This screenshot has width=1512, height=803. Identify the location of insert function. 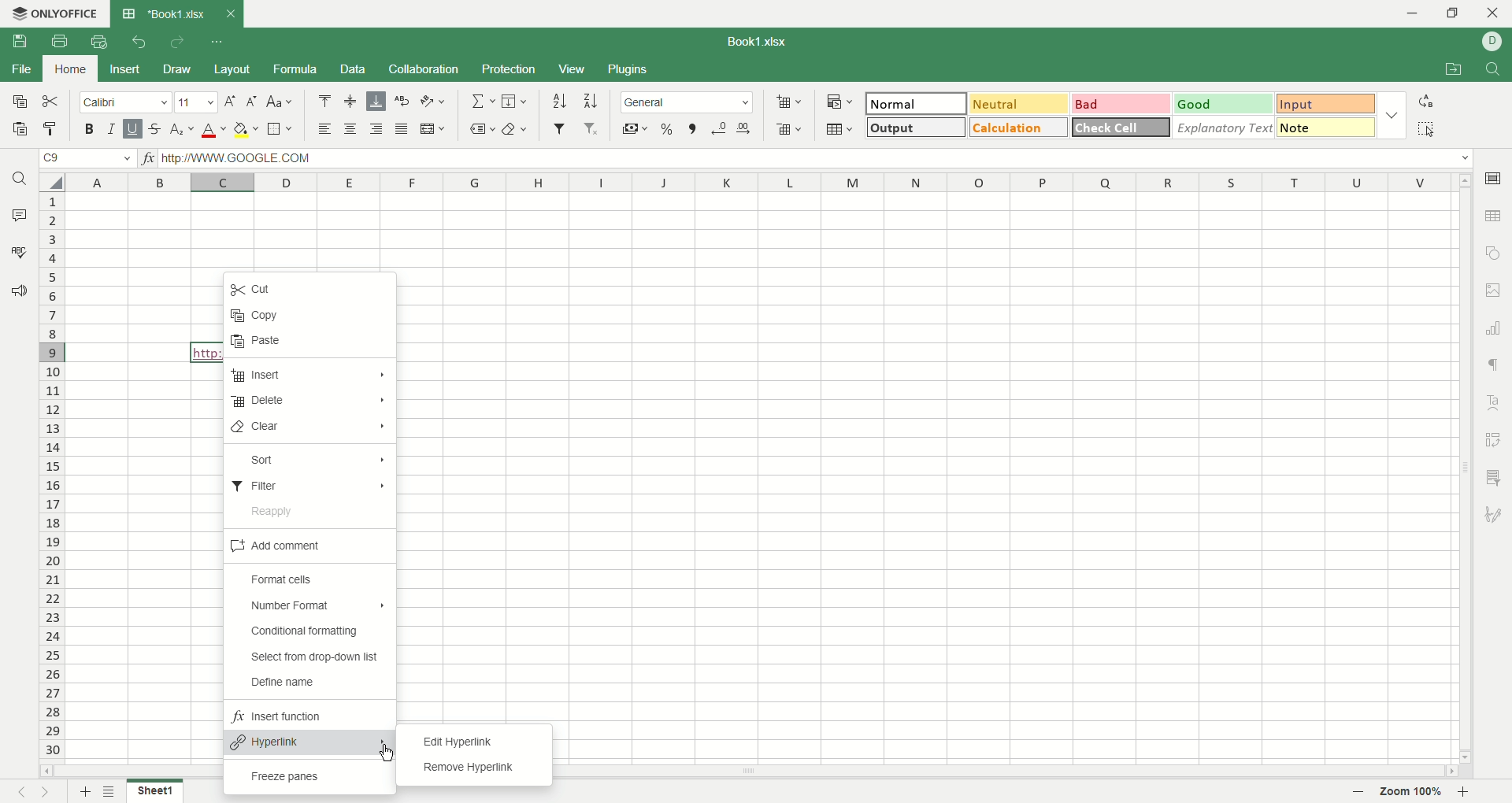
(149, 159).